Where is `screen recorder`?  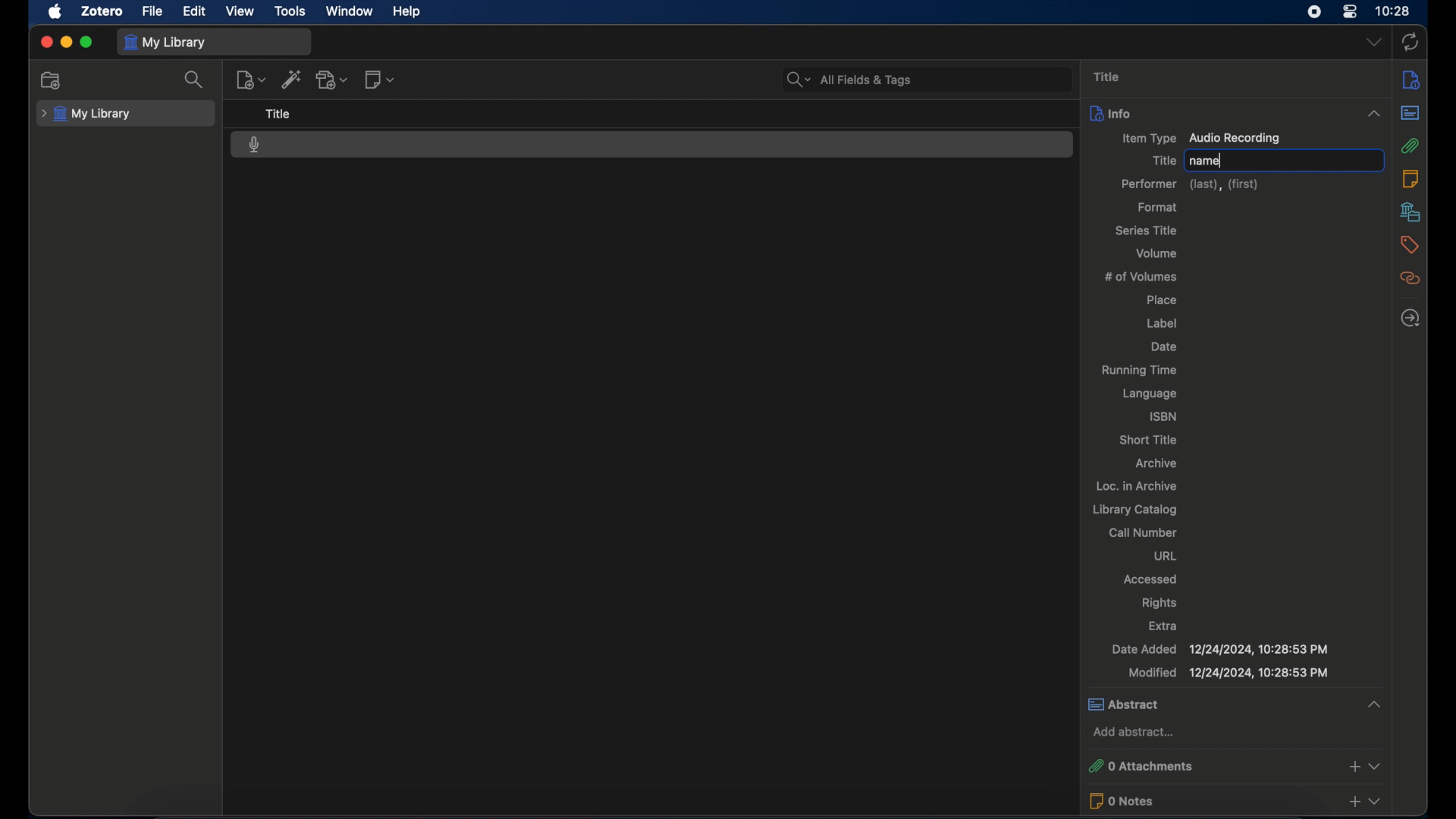
screen recorder is located at coordinates (1314, 11).